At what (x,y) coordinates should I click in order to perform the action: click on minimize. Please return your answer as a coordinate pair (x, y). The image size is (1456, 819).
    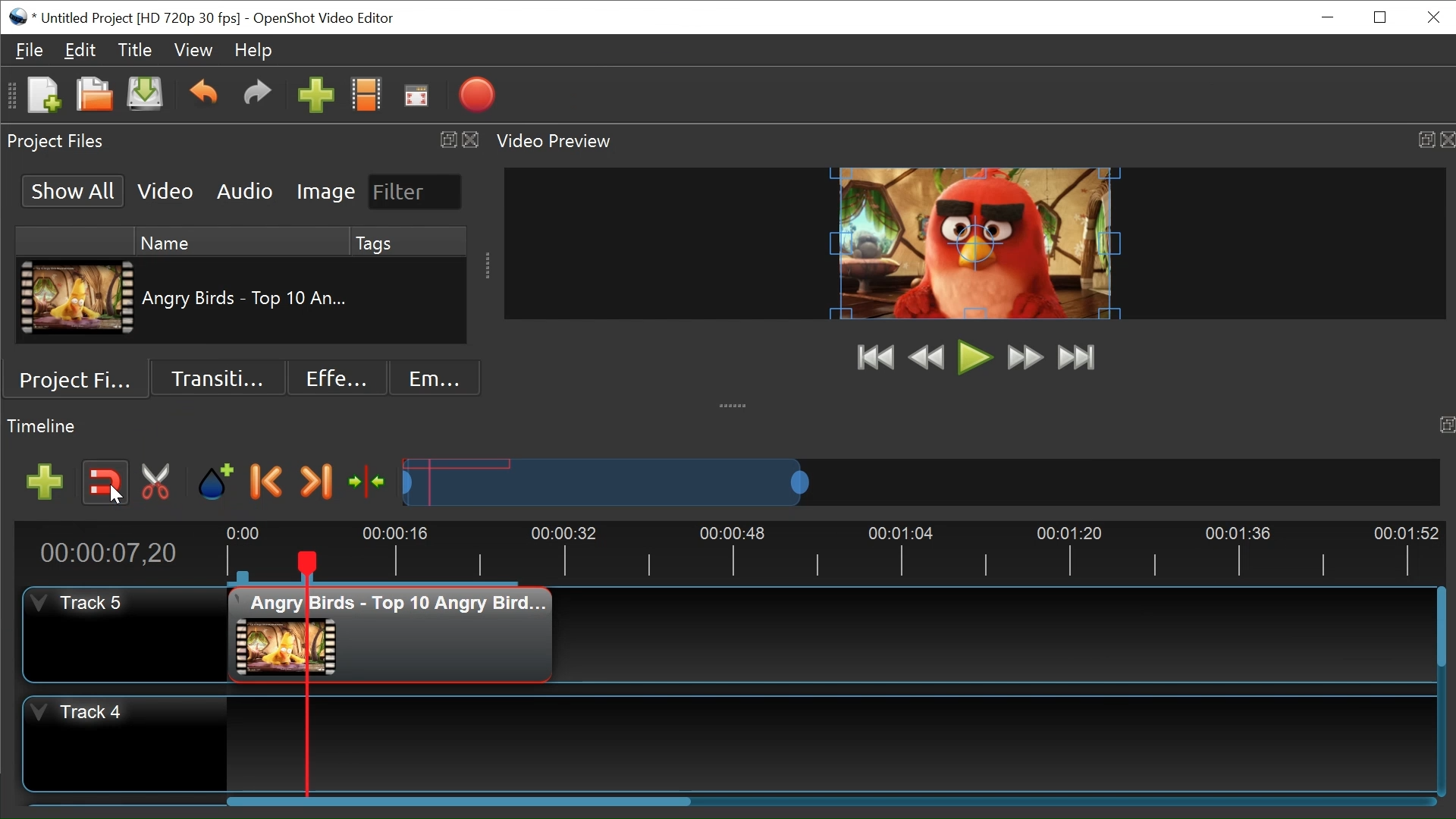
    Looking at the image, I should click on (1330, 19).